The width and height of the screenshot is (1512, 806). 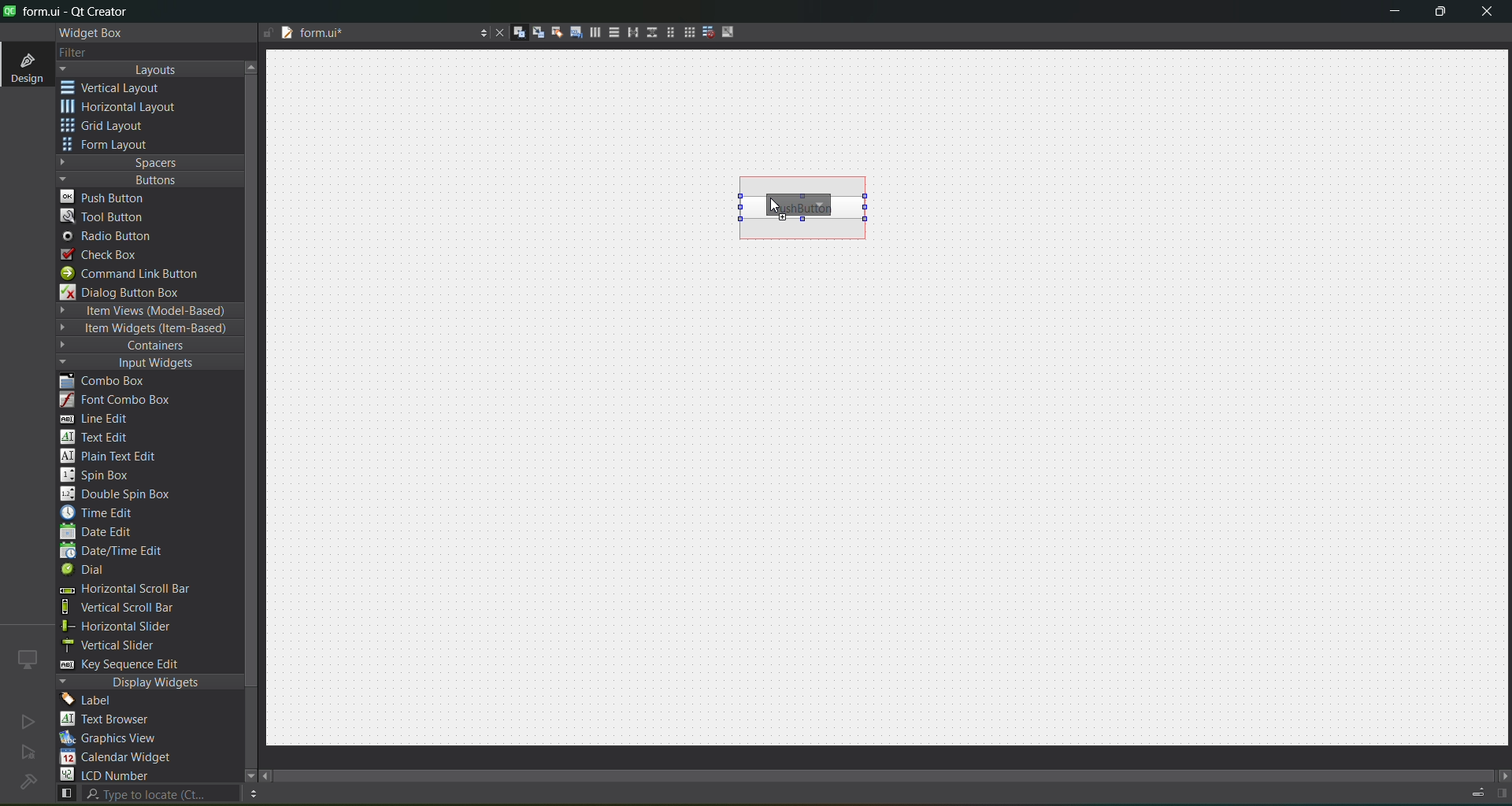 What do you see at coordinates (479, 35) in the screenshot?
I see `options` at bounding box center [479, 35].